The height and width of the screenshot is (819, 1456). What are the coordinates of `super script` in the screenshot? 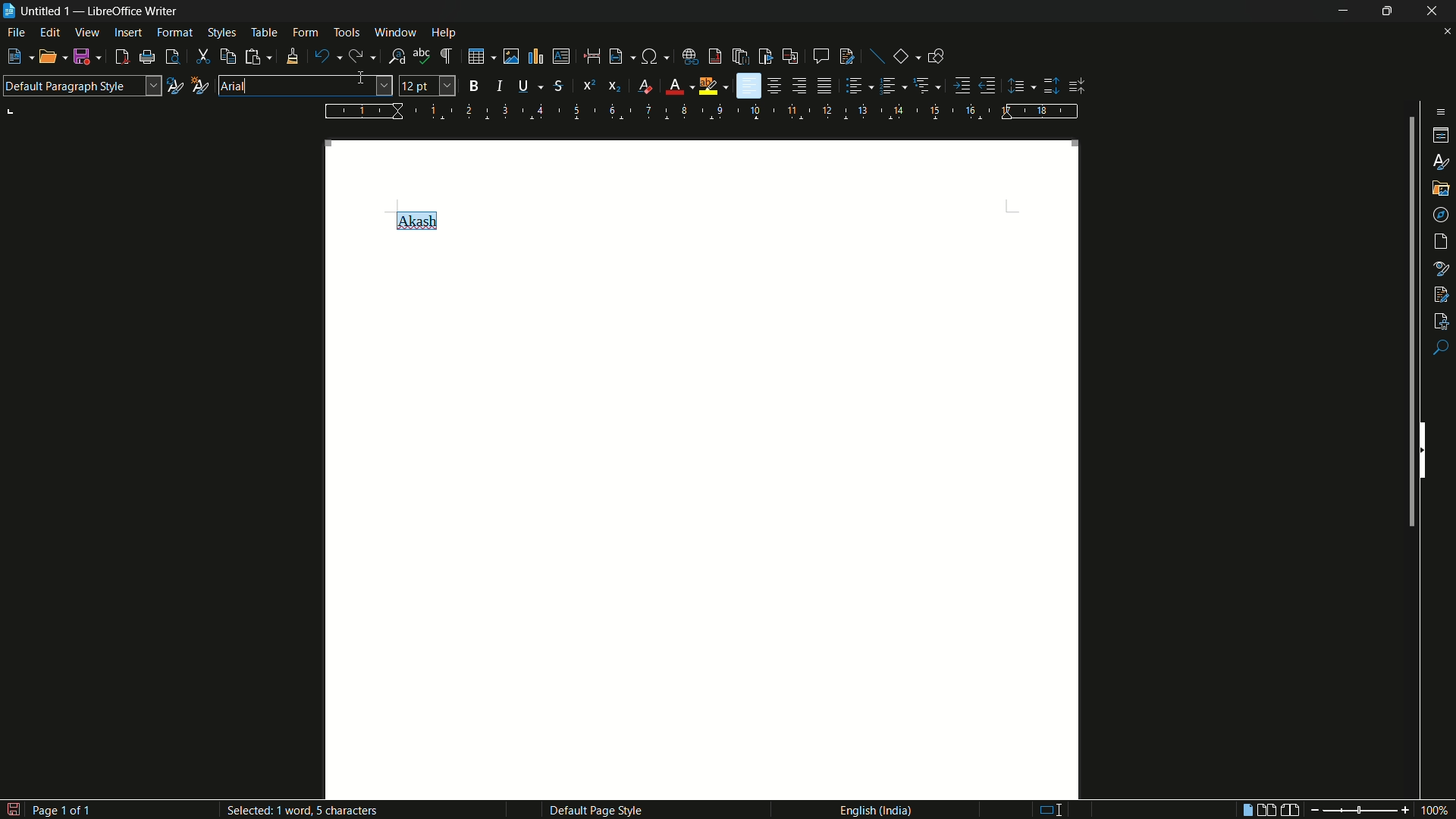 It's located at (588, 84).